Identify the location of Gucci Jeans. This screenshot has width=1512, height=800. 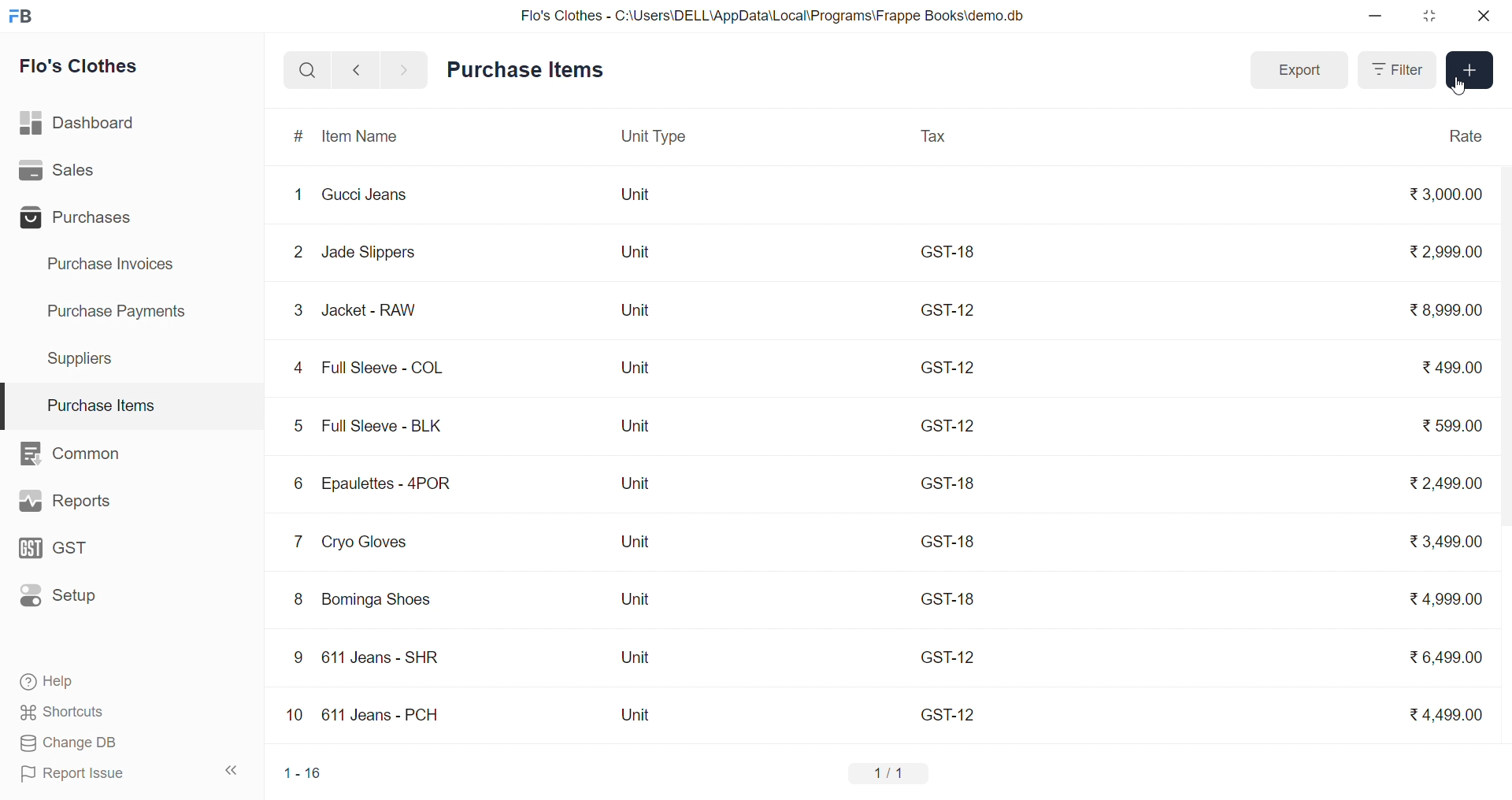
(367, 194).